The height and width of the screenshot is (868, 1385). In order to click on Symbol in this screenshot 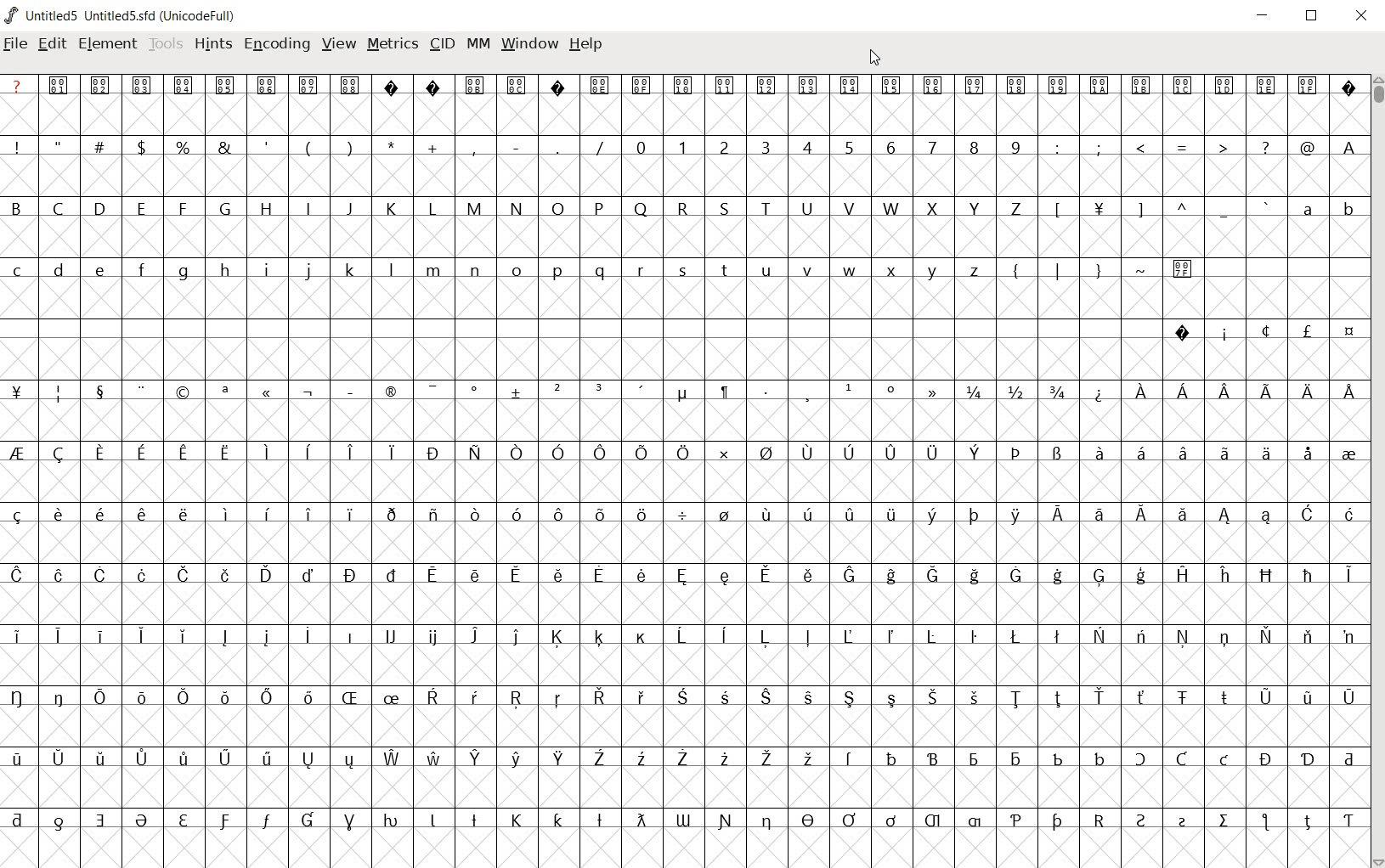, I will do `click(432, 578)`.